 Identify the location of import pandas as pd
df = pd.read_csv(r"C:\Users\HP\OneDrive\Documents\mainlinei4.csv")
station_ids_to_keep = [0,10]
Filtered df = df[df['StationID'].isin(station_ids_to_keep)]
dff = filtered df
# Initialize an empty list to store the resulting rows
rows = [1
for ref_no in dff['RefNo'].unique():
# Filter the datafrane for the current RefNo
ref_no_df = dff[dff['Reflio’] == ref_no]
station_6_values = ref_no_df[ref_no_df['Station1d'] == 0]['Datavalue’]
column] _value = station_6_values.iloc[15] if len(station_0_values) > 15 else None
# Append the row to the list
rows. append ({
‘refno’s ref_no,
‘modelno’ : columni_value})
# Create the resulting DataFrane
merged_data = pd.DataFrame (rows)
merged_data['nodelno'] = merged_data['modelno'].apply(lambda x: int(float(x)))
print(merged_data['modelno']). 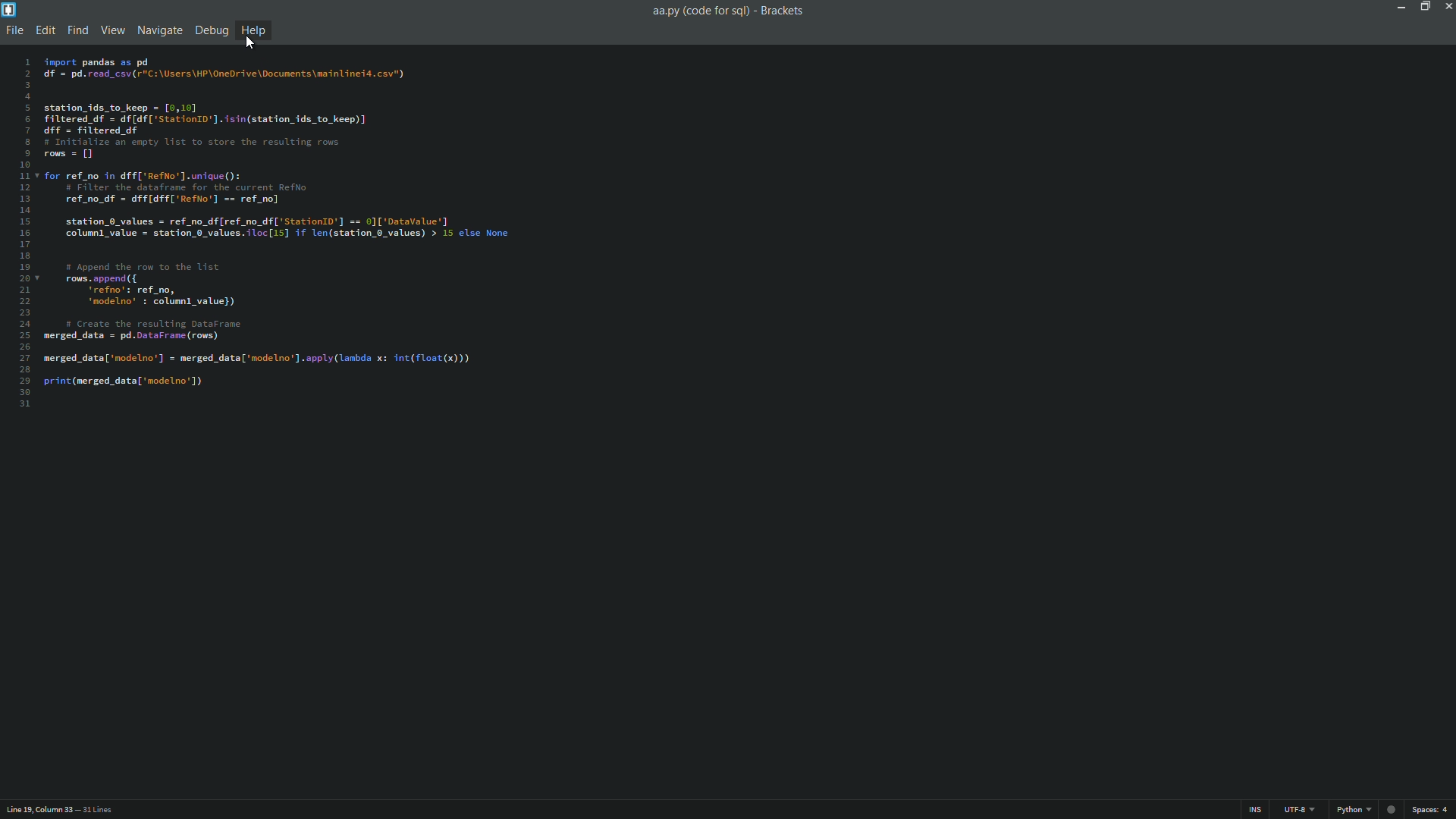
(290, 227).